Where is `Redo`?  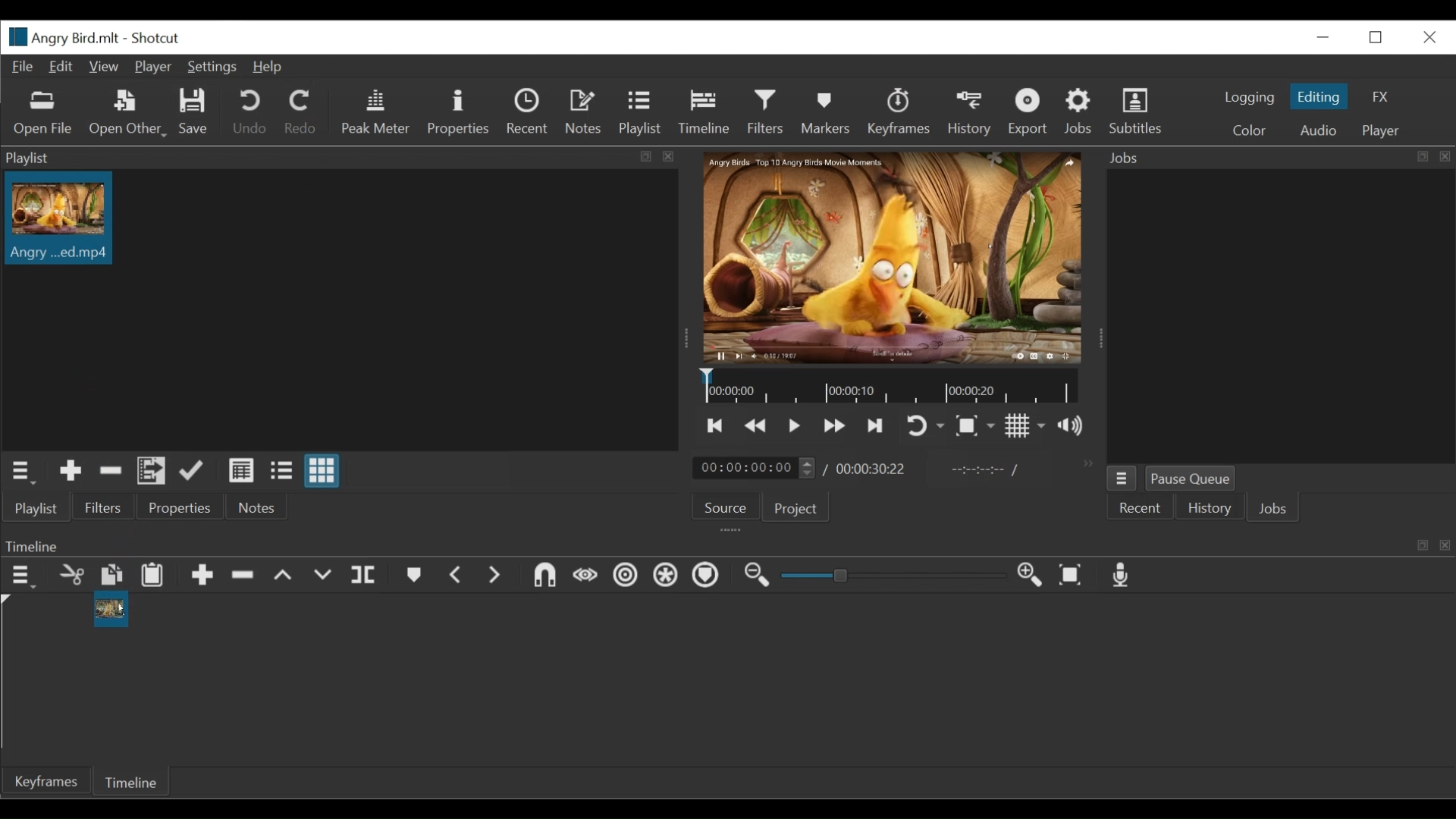
Redo is located at coordinates (299, 111).